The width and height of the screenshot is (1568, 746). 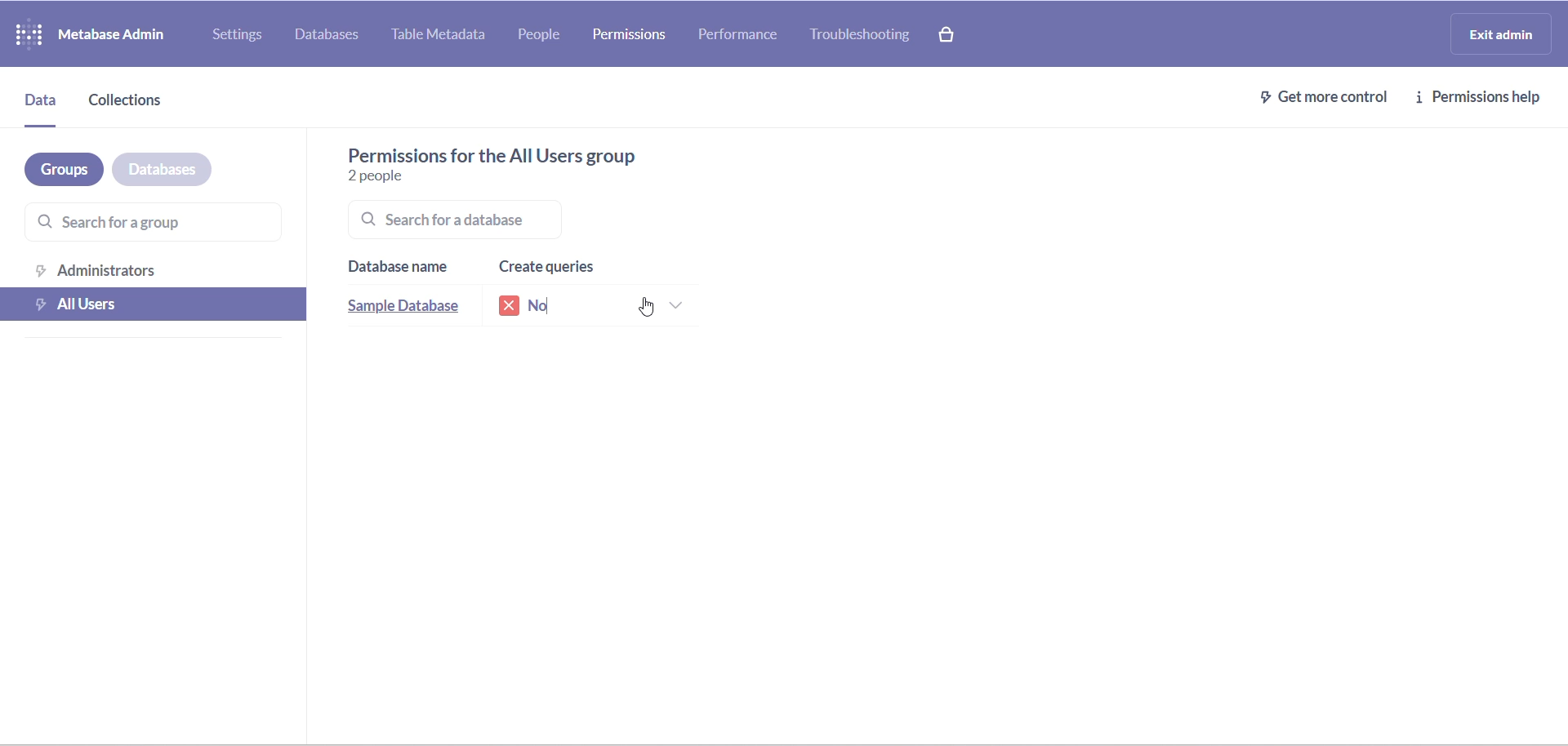 I want to click on all users, so click(x=155, y=304).